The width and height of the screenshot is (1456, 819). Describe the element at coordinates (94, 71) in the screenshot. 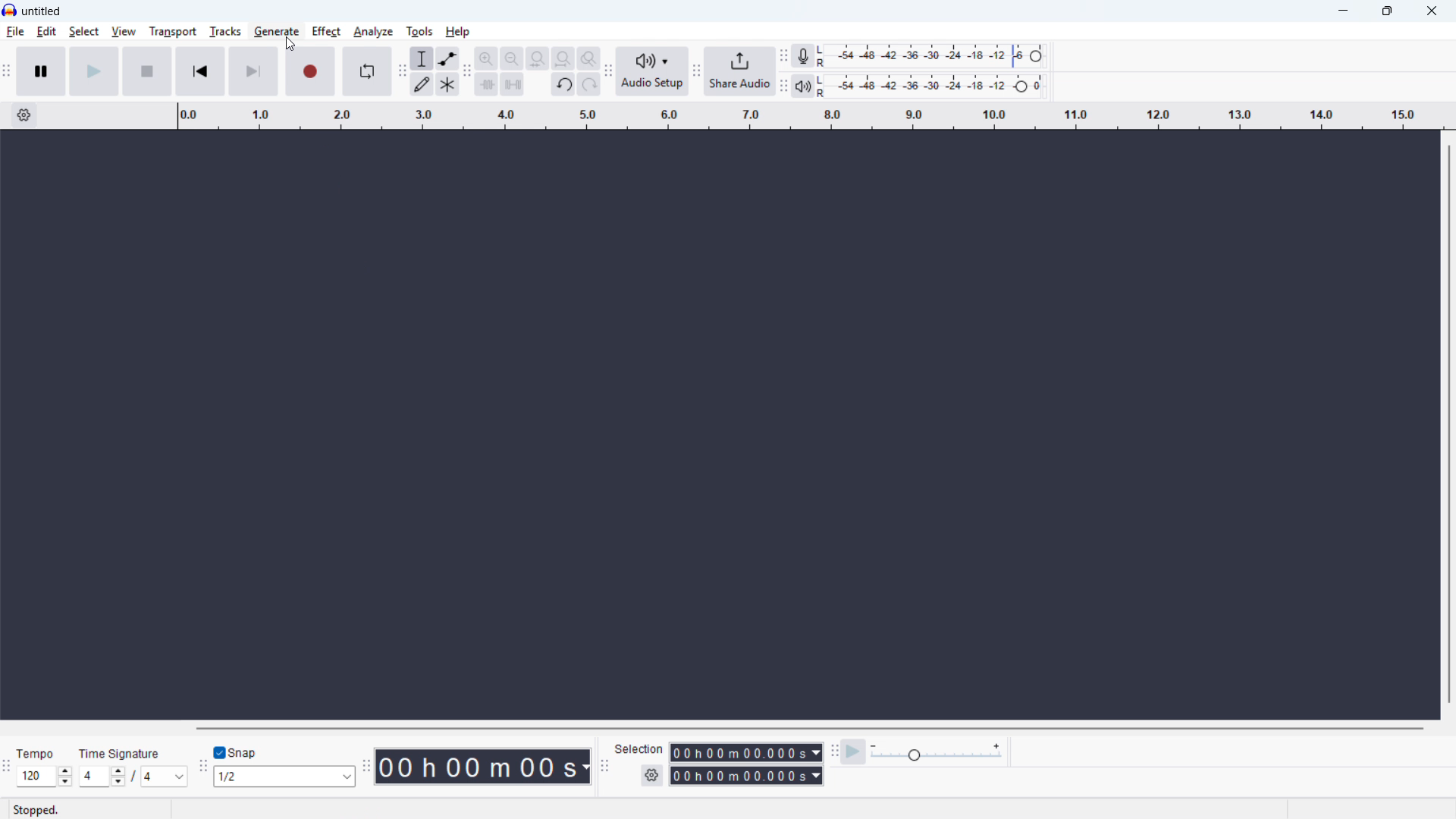

I see `play ` at that location.